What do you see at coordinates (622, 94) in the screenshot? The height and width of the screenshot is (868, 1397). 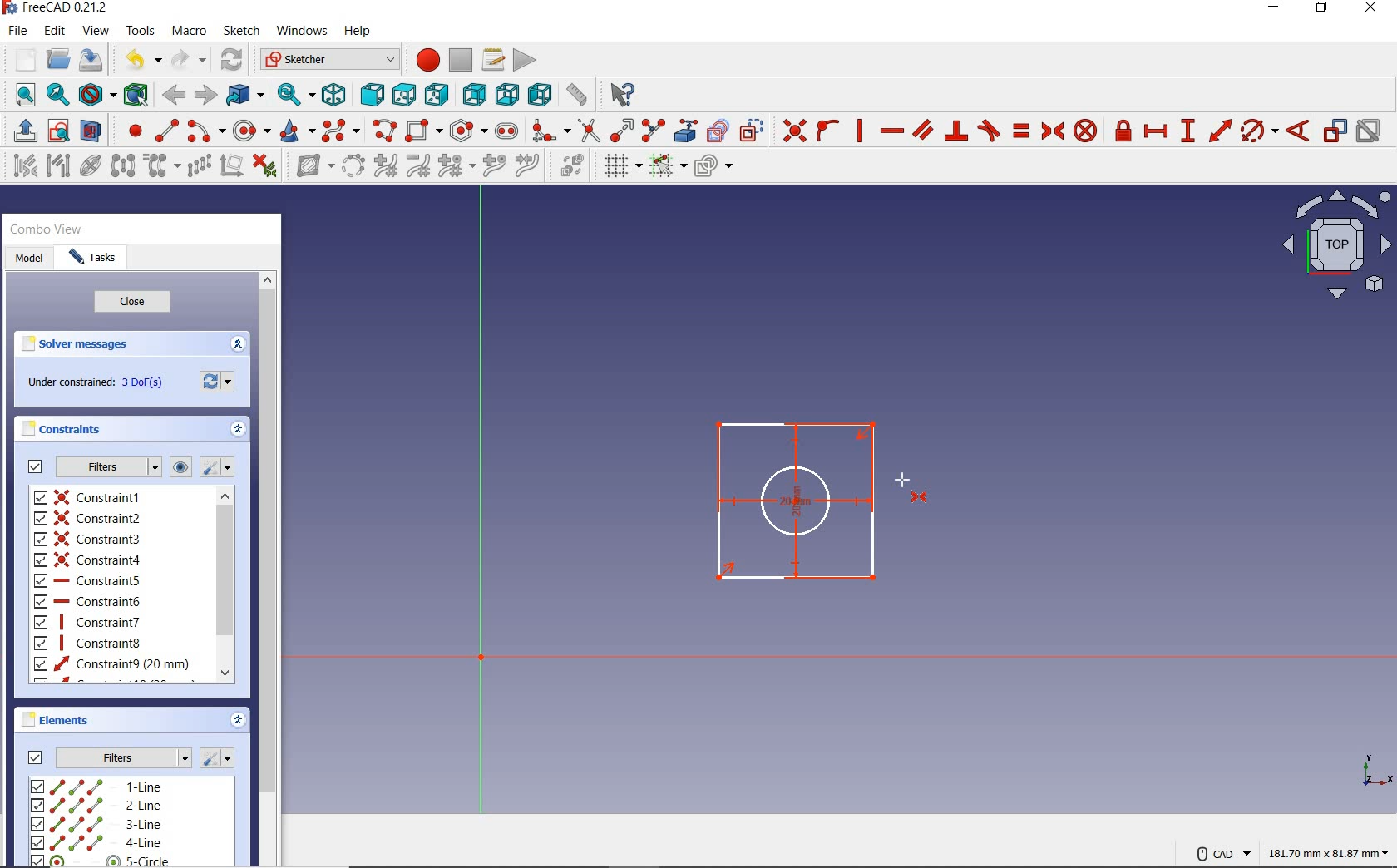 I see `what's this` at bounding box center [622, 94].